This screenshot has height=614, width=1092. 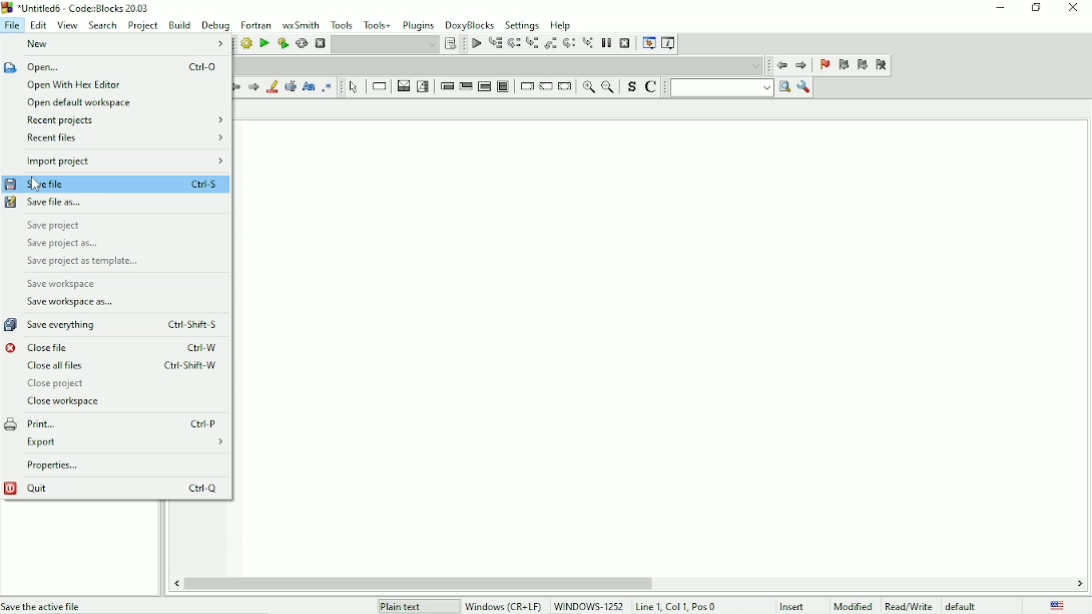 I want to click on Windows, so click(x=543, y=605).